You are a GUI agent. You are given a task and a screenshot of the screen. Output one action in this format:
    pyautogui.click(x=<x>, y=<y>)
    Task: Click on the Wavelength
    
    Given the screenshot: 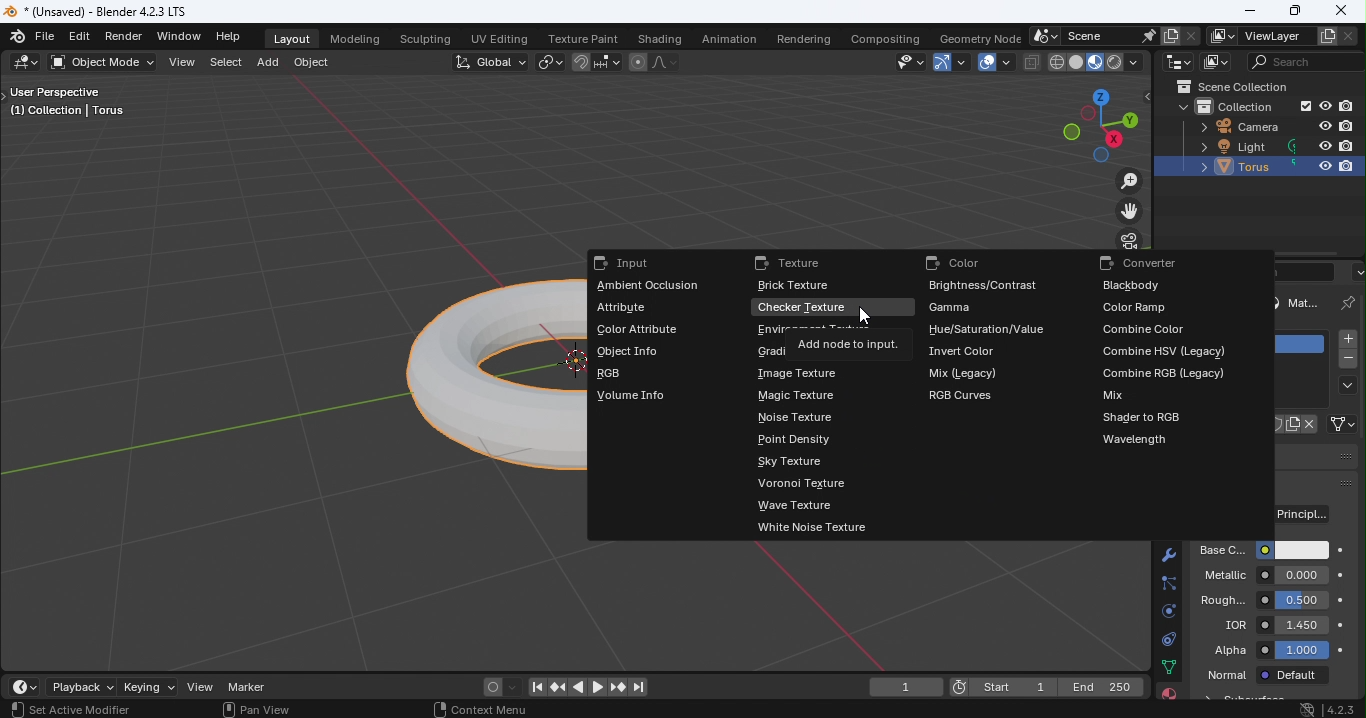 What is the action you would take?
    pyautogui.click(x=1142, y=441)
    